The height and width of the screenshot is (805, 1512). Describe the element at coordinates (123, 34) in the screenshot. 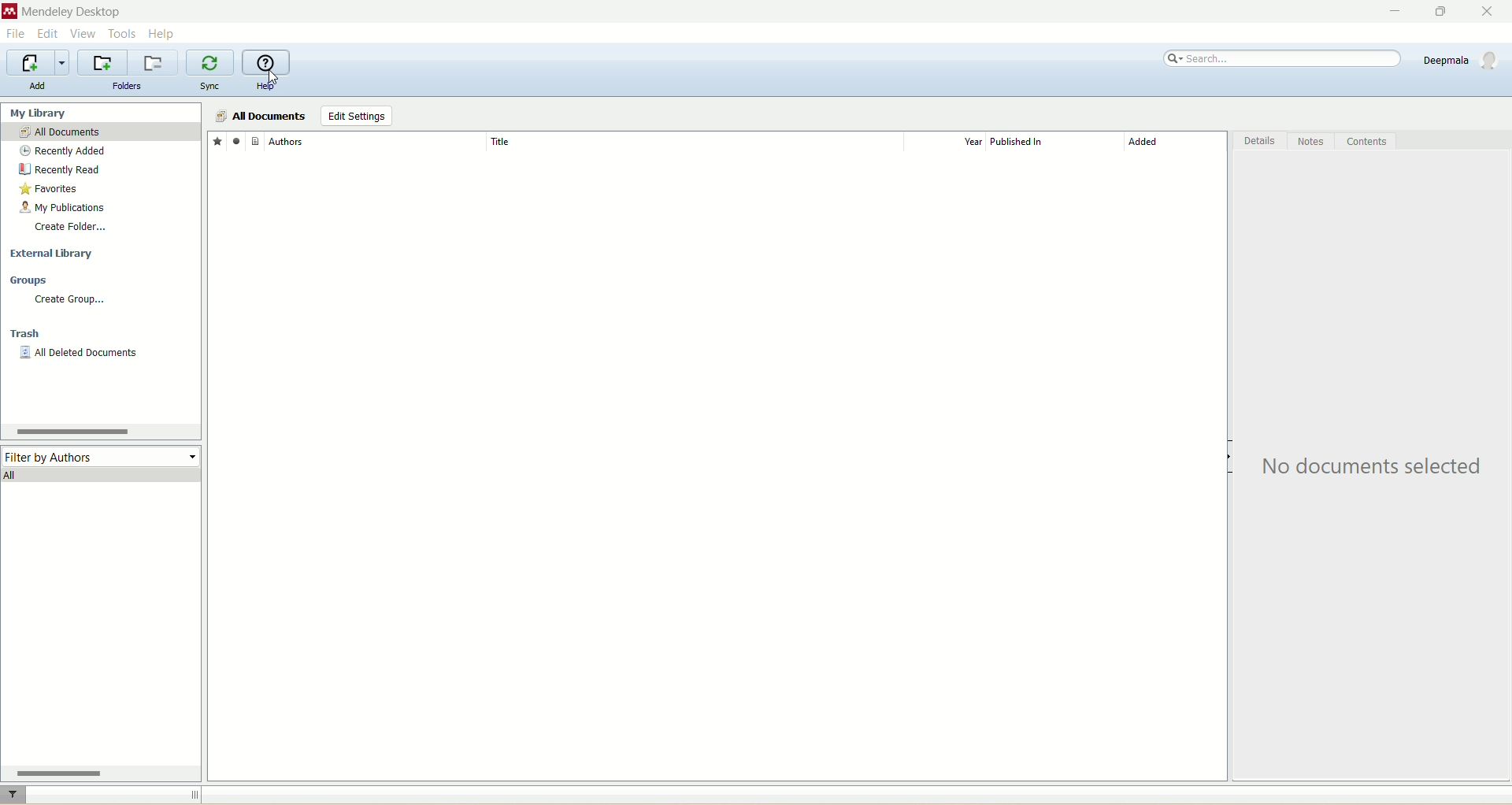

I see `tools` at that location.